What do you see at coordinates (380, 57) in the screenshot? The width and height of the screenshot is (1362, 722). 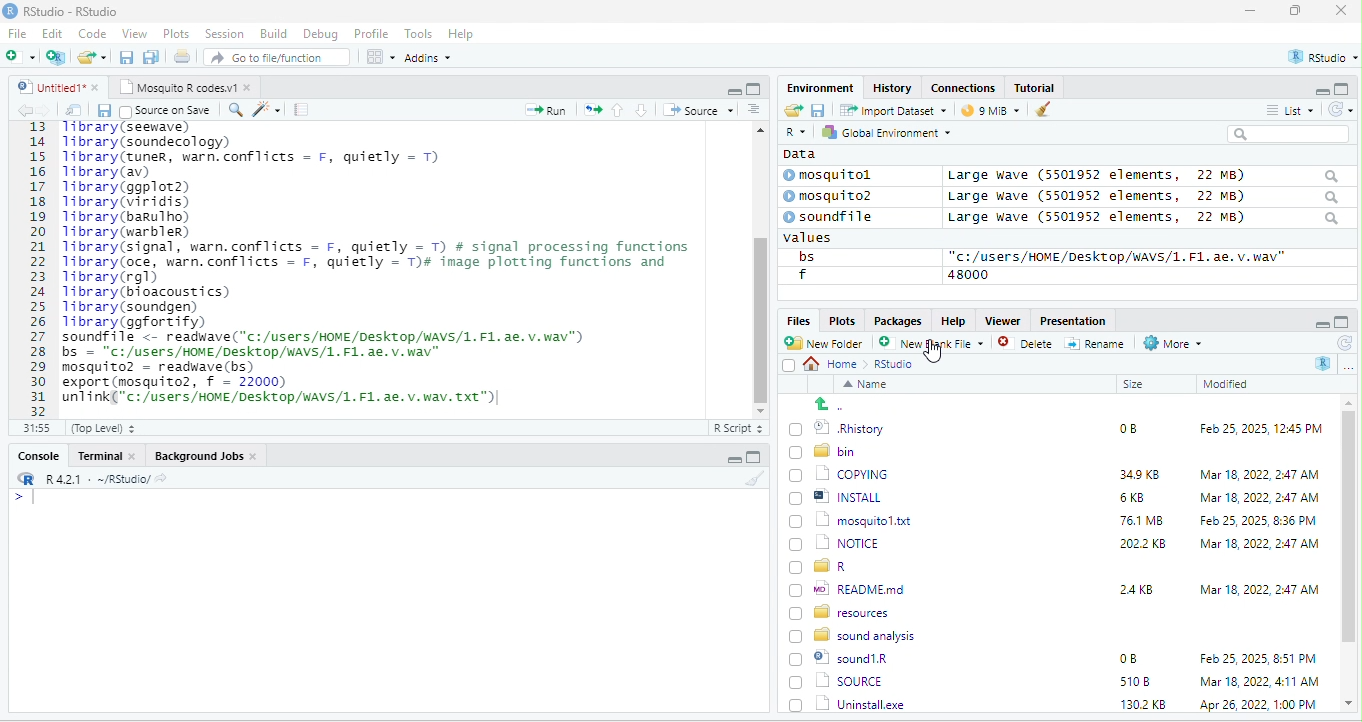 I see `view` at bounding box center [380, 57].